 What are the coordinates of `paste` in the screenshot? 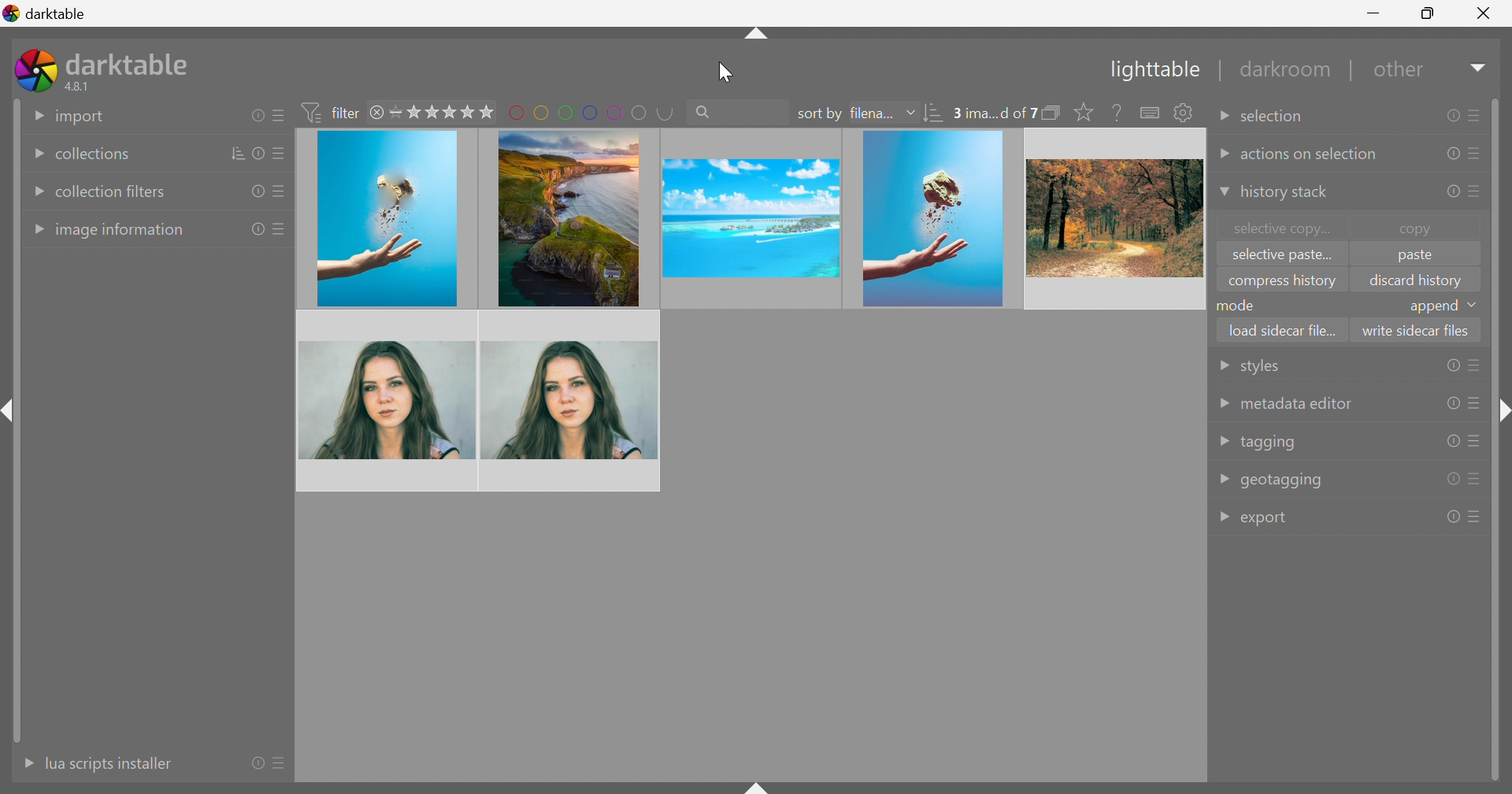 It's located at (1414, 258).